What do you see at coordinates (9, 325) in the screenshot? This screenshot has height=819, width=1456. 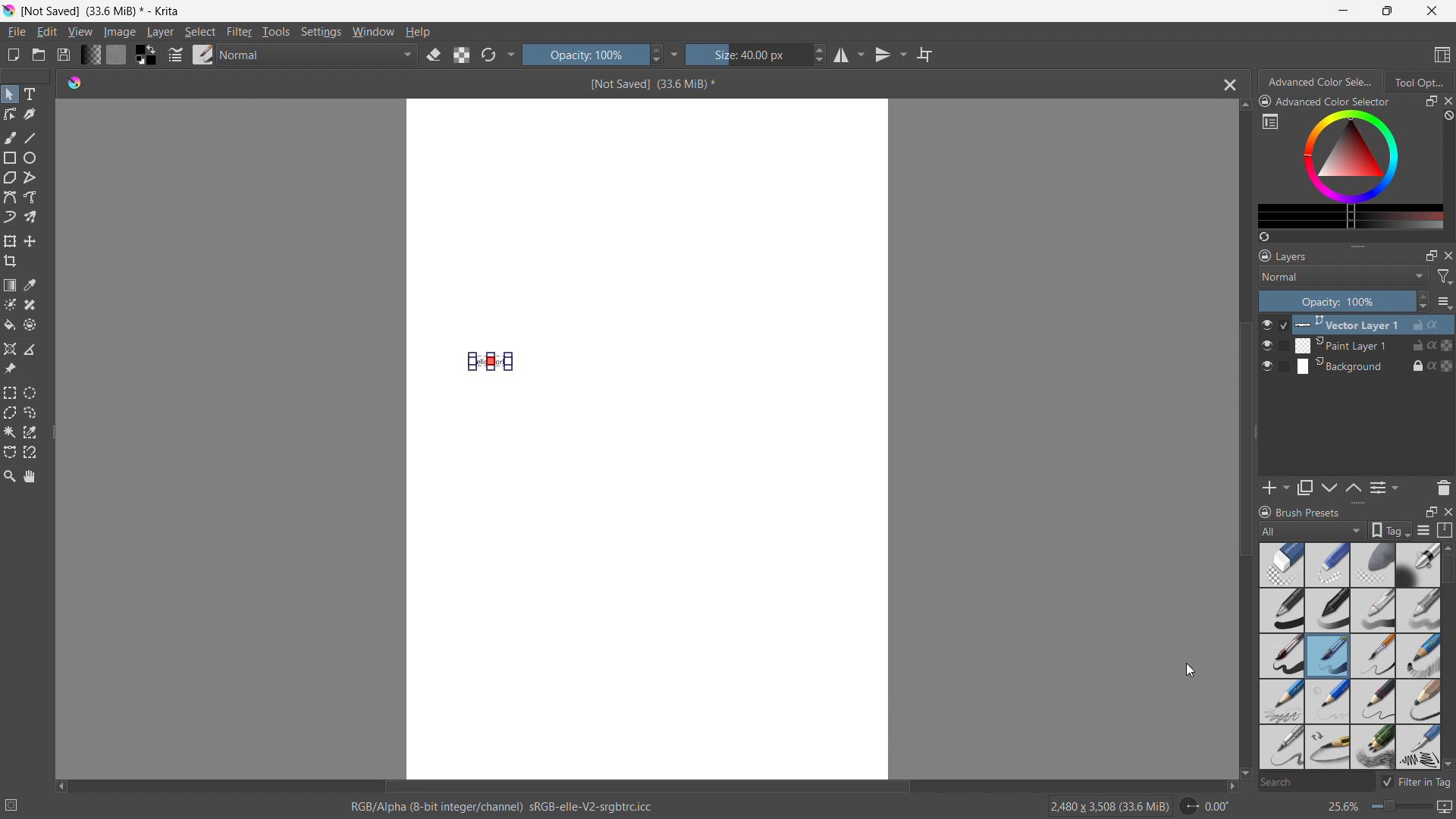 I see `fill a contiguous area of color with a color` at bounding box center [9, 325].